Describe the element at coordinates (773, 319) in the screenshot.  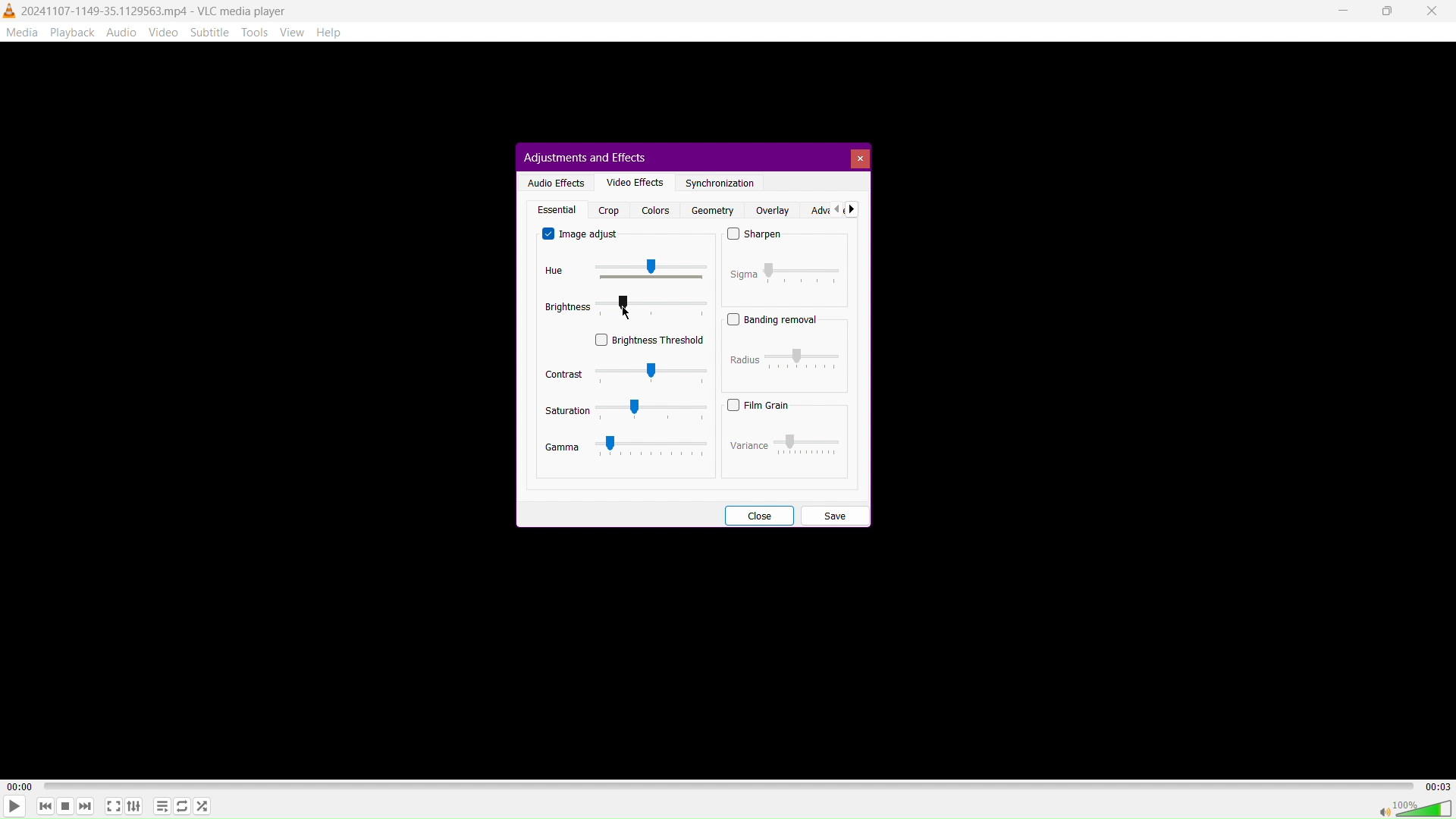
I see `Banding Removal` at that location.